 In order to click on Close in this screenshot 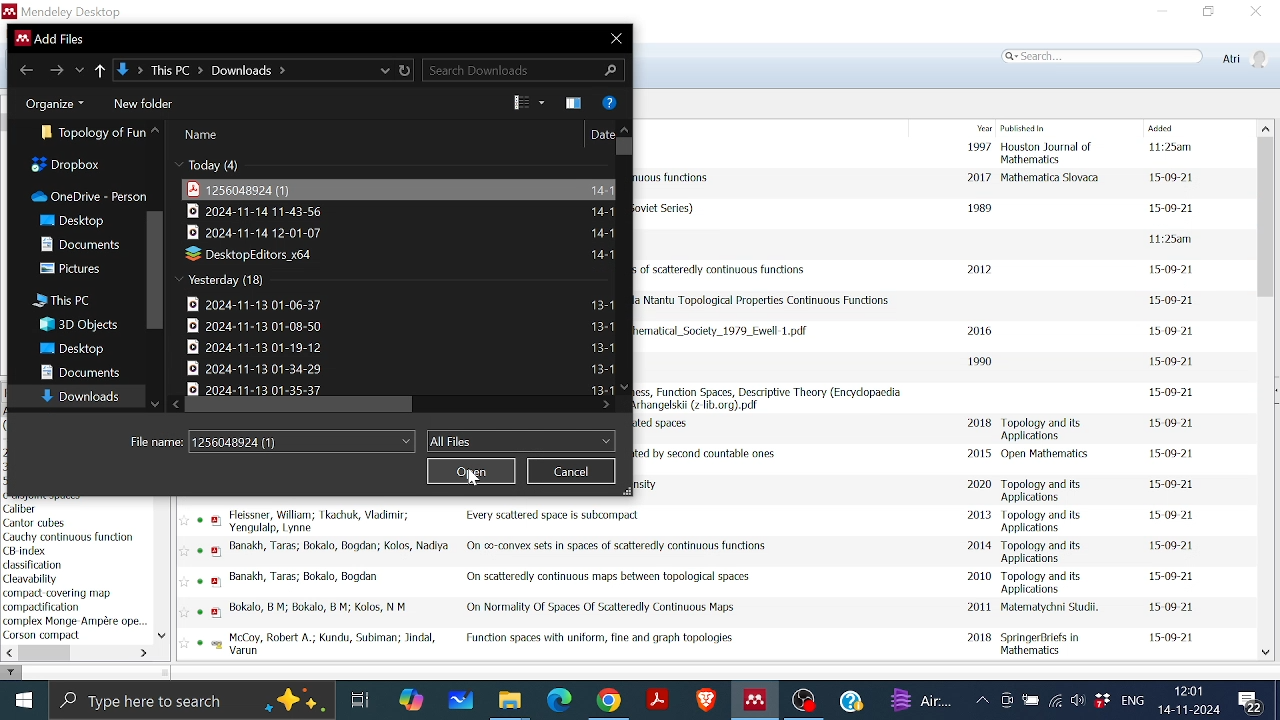, I will do `click(617, 39)`.